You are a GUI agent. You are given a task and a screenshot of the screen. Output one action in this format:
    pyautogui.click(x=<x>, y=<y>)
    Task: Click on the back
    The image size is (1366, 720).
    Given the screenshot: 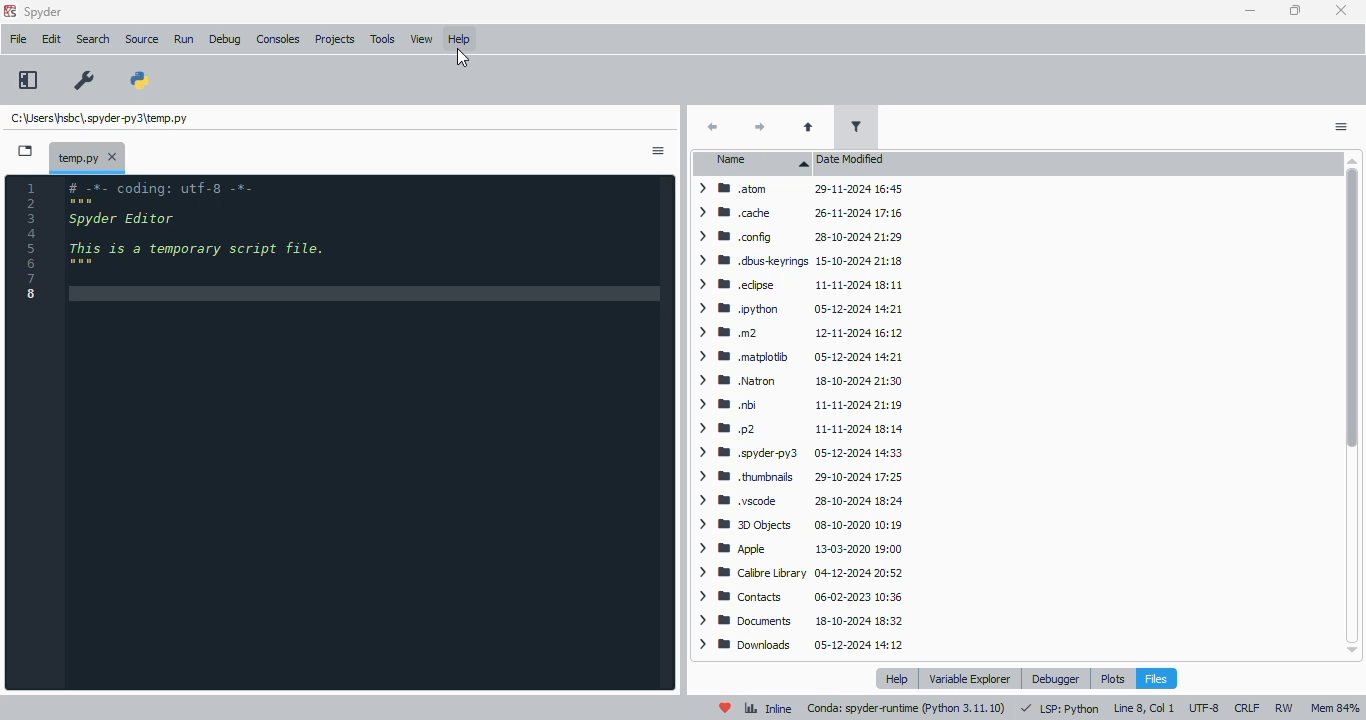 What is the action you would take?
    pyautogui.click(x=713, y=127)
    